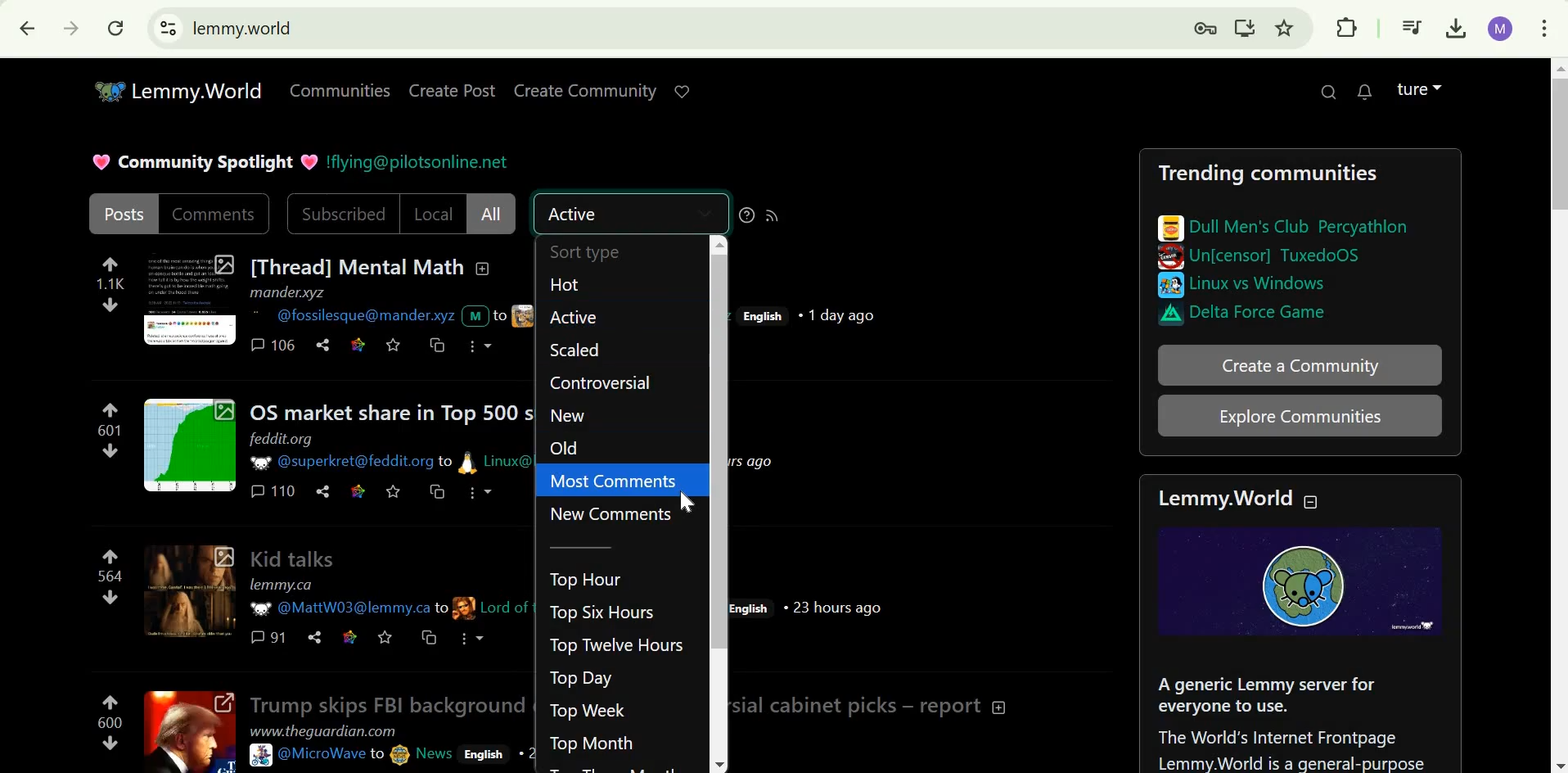 This screenshot has height=773, width=1568. I want to click on View site information, so click(168, 27).